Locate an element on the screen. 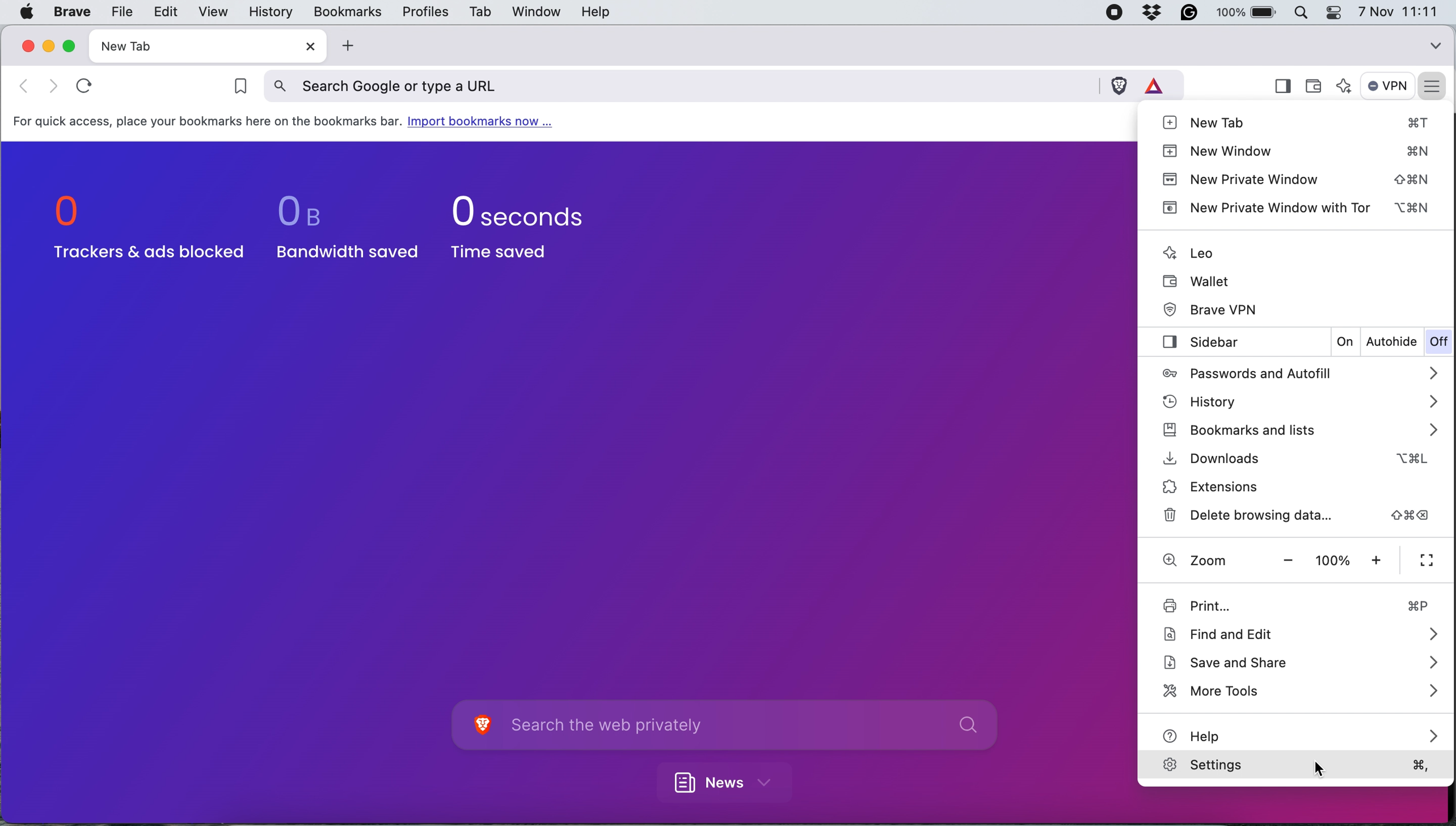 This screenshot has height=826, width=1456. close is located at coordinates (26, 46).